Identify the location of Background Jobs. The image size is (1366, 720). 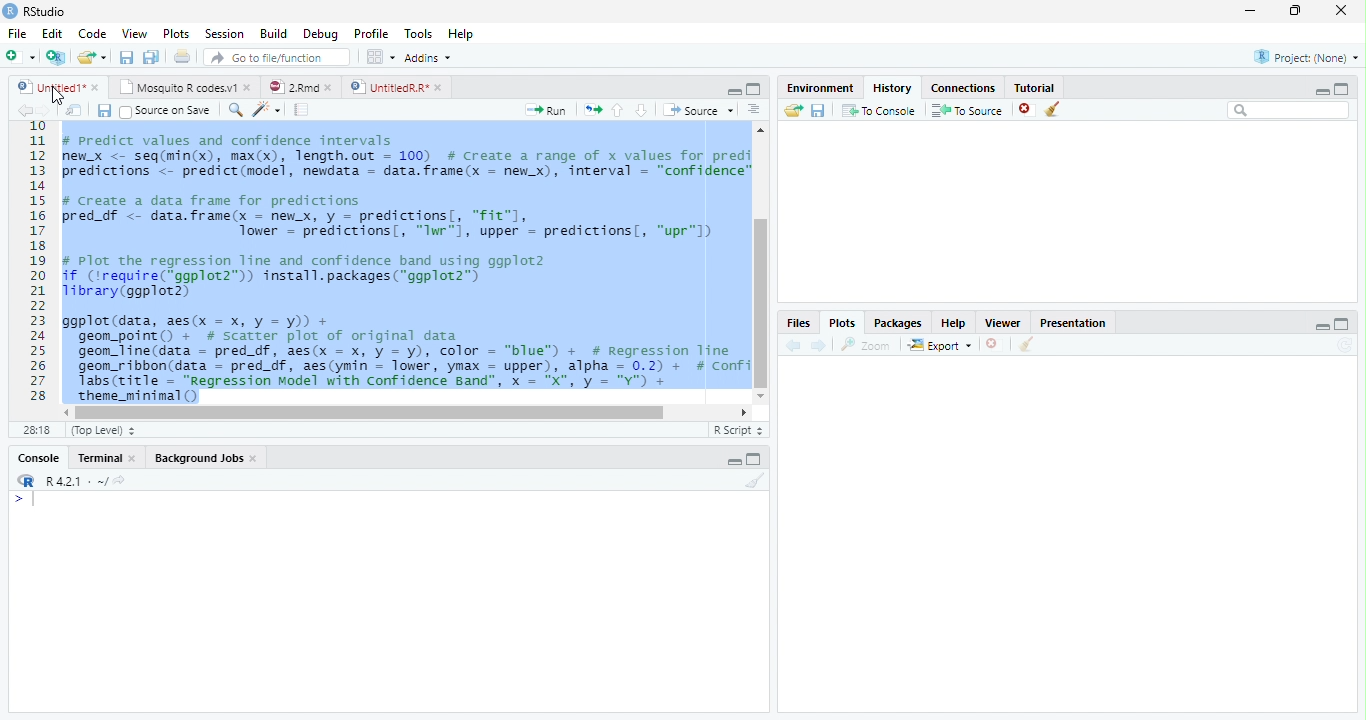
(205, 457).